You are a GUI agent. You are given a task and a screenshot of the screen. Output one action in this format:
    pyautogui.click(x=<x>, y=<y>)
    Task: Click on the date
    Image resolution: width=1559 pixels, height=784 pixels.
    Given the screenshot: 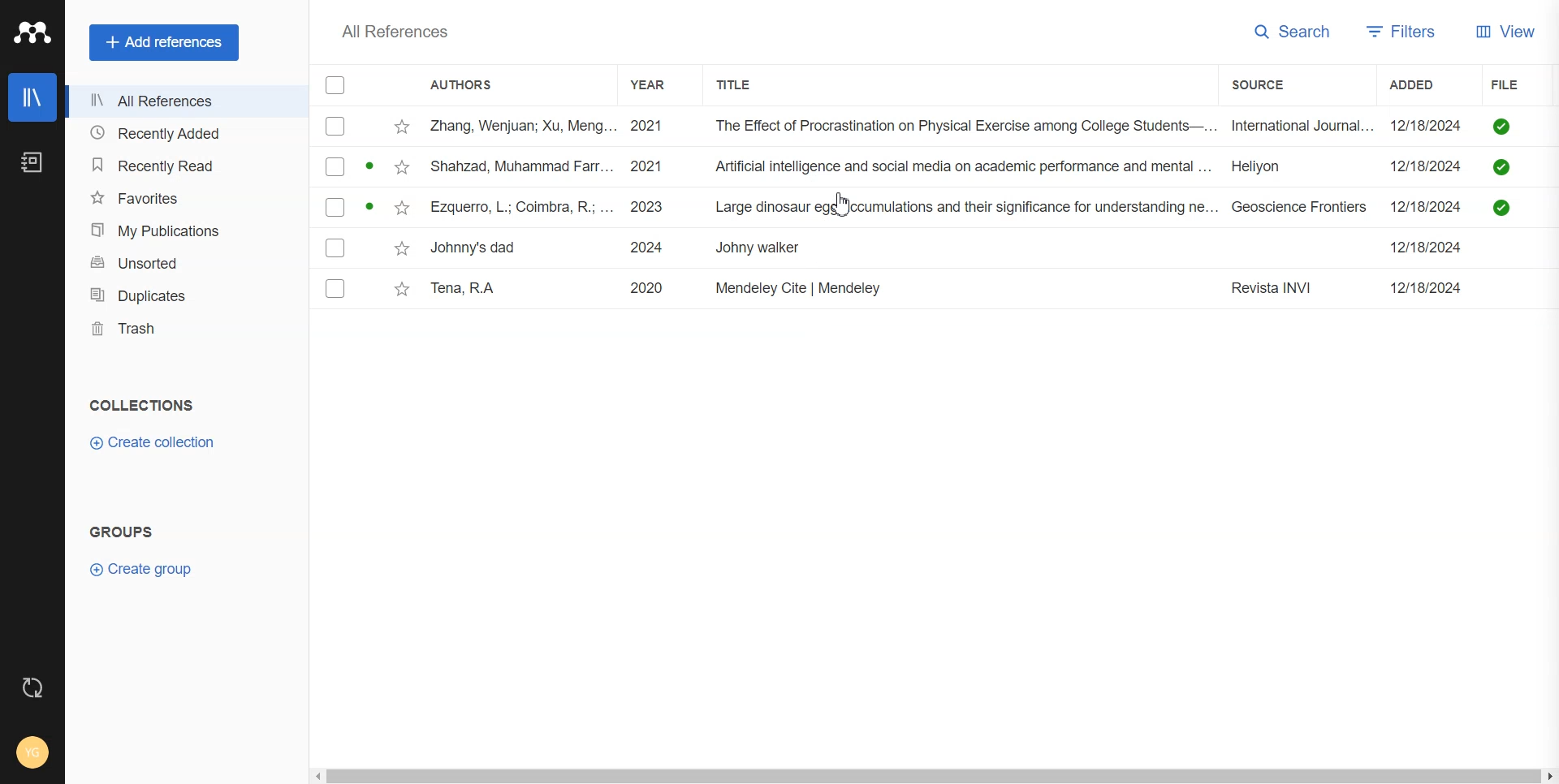 What is the action you would take?
    pyautogui.click(x=1427, y=207)
    